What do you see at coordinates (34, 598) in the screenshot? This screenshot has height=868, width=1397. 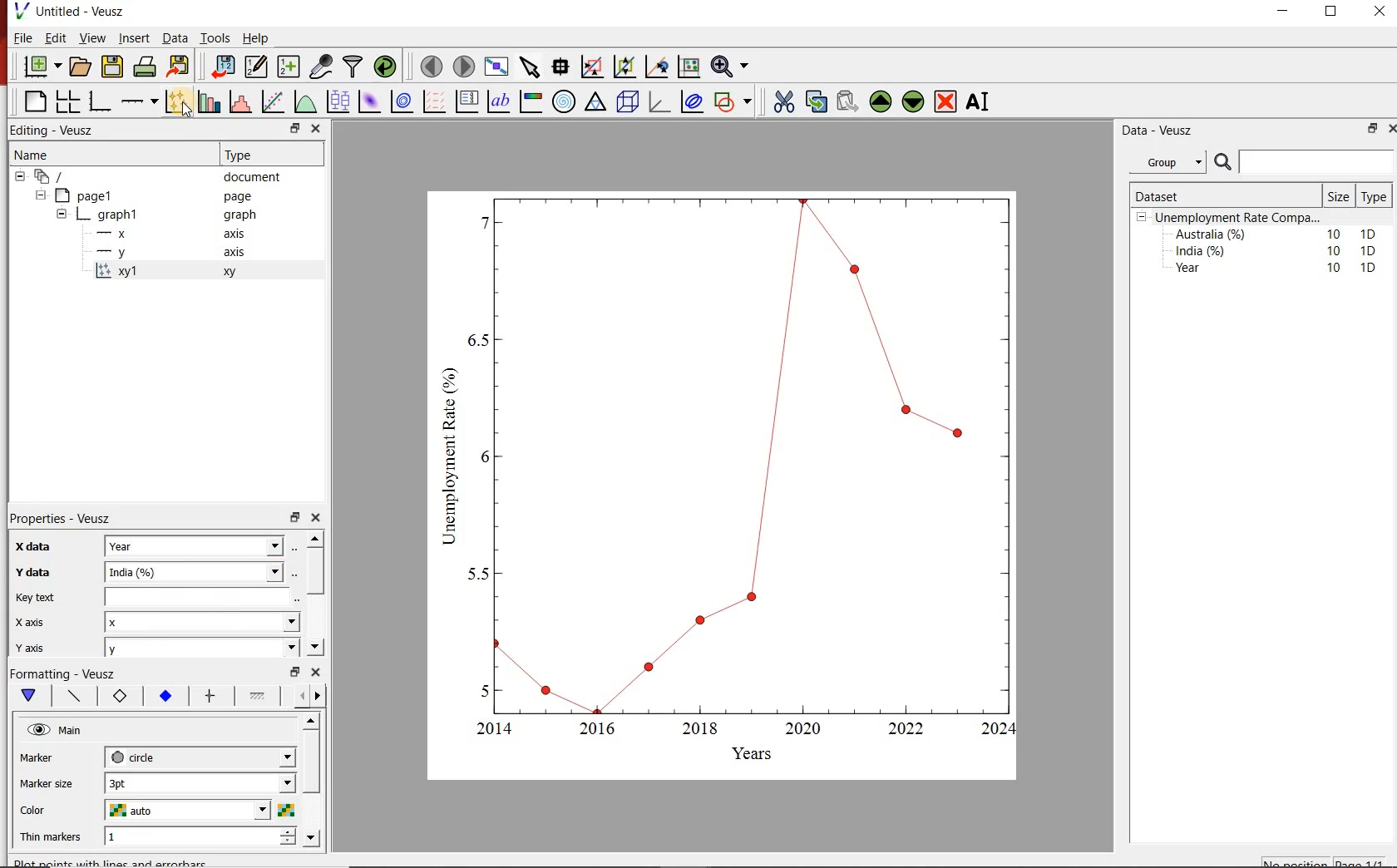 I see `key text` at bounding box center [34, 598].